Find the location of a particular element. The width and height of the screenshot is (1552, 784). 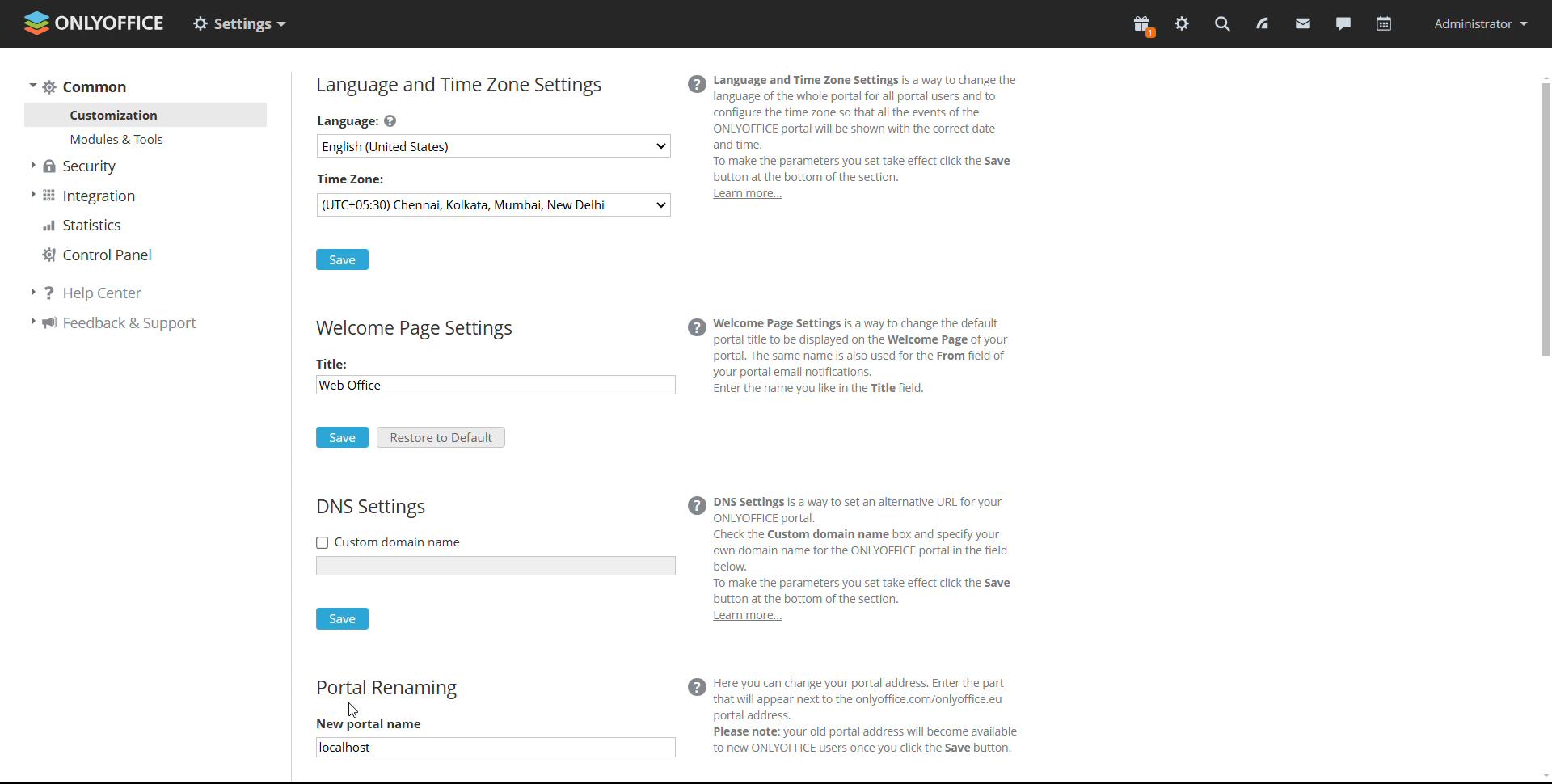

restore to default is located at coordinates (441, 437).